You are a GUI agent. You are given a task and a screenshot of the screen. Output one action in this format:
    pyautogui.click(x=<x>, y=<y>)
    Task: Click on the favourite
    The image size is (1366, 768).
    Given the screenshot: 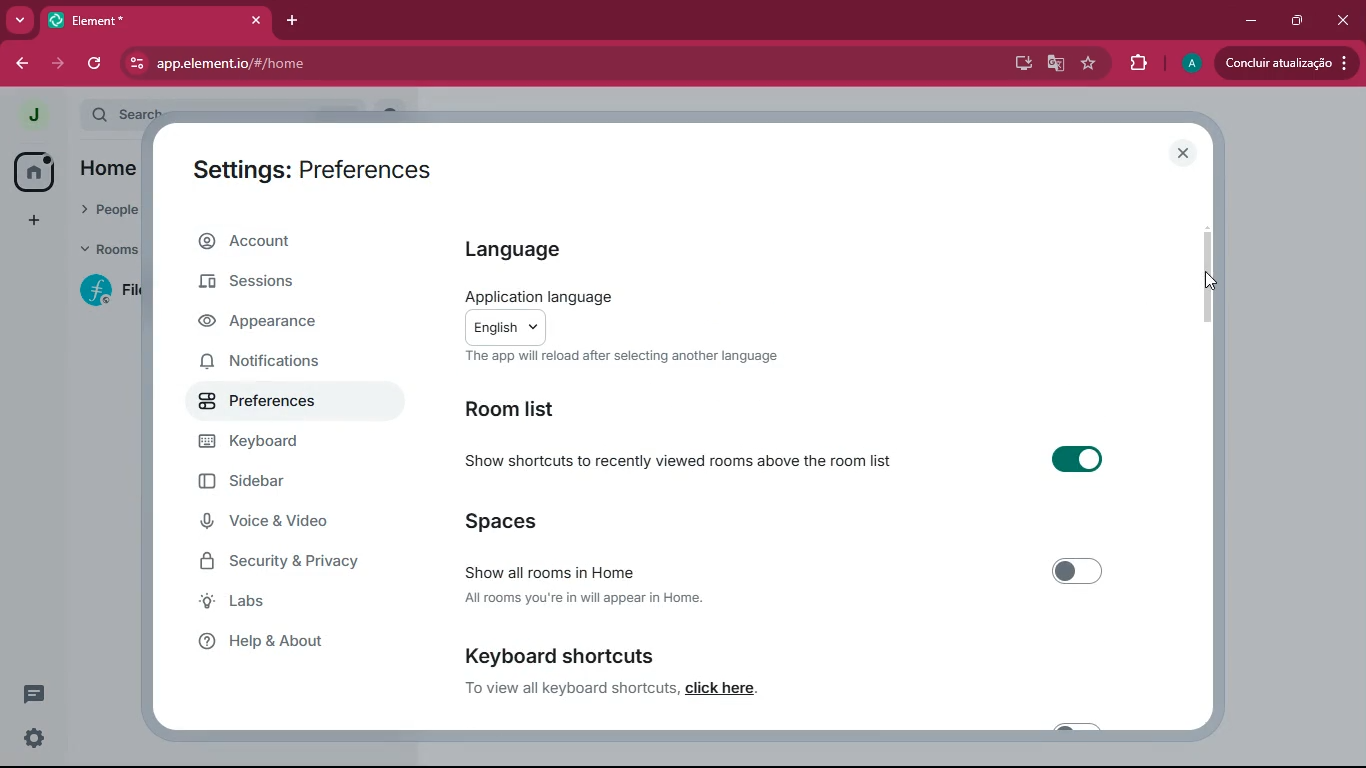 What is the action you would take?
    pyautogui.click(x=1091, y=63)
    